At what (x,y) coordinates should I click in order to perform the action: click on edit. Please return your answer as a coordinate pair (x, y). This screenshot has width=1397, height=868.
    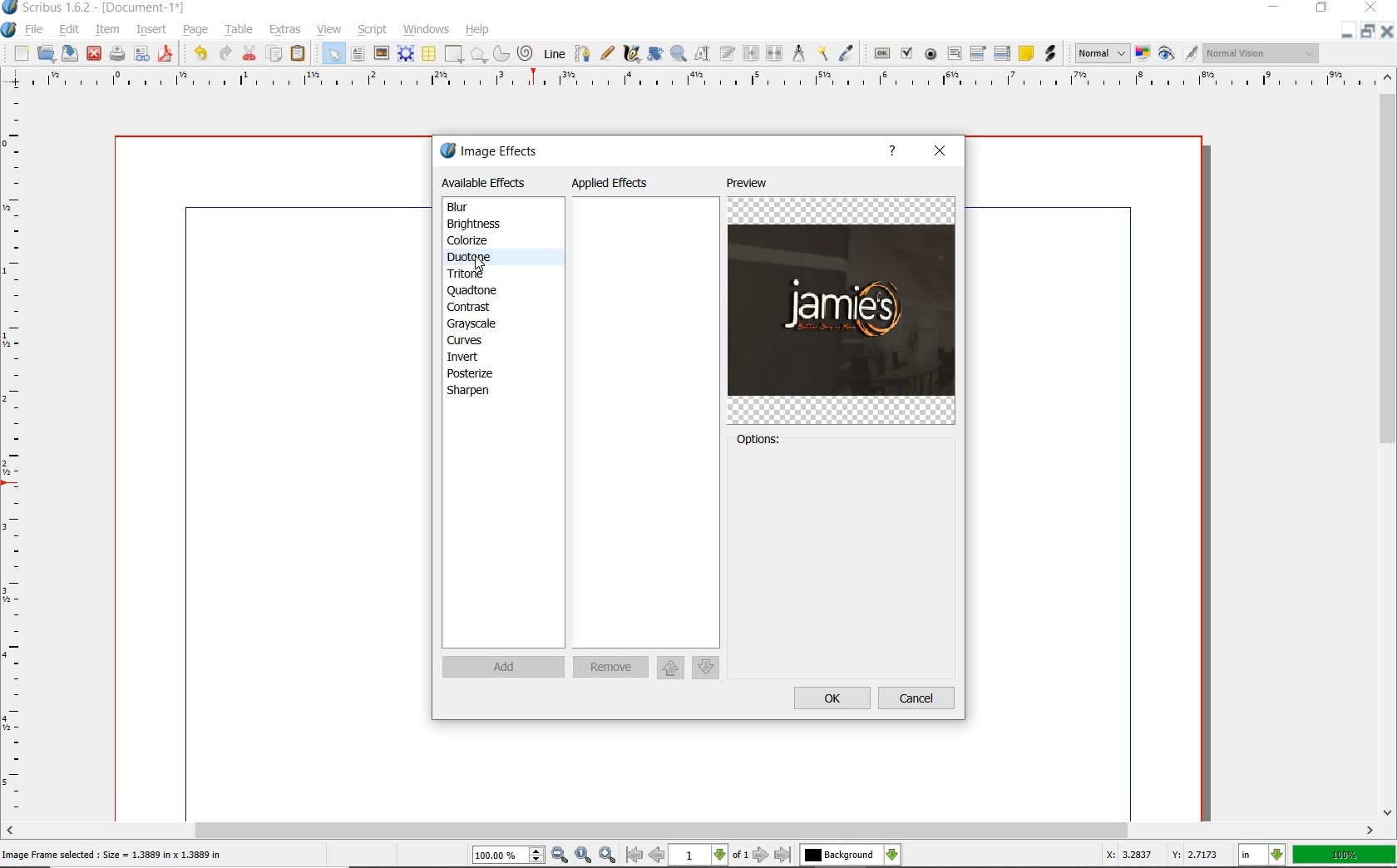
    Looking at the image, I should click on (68, 31).